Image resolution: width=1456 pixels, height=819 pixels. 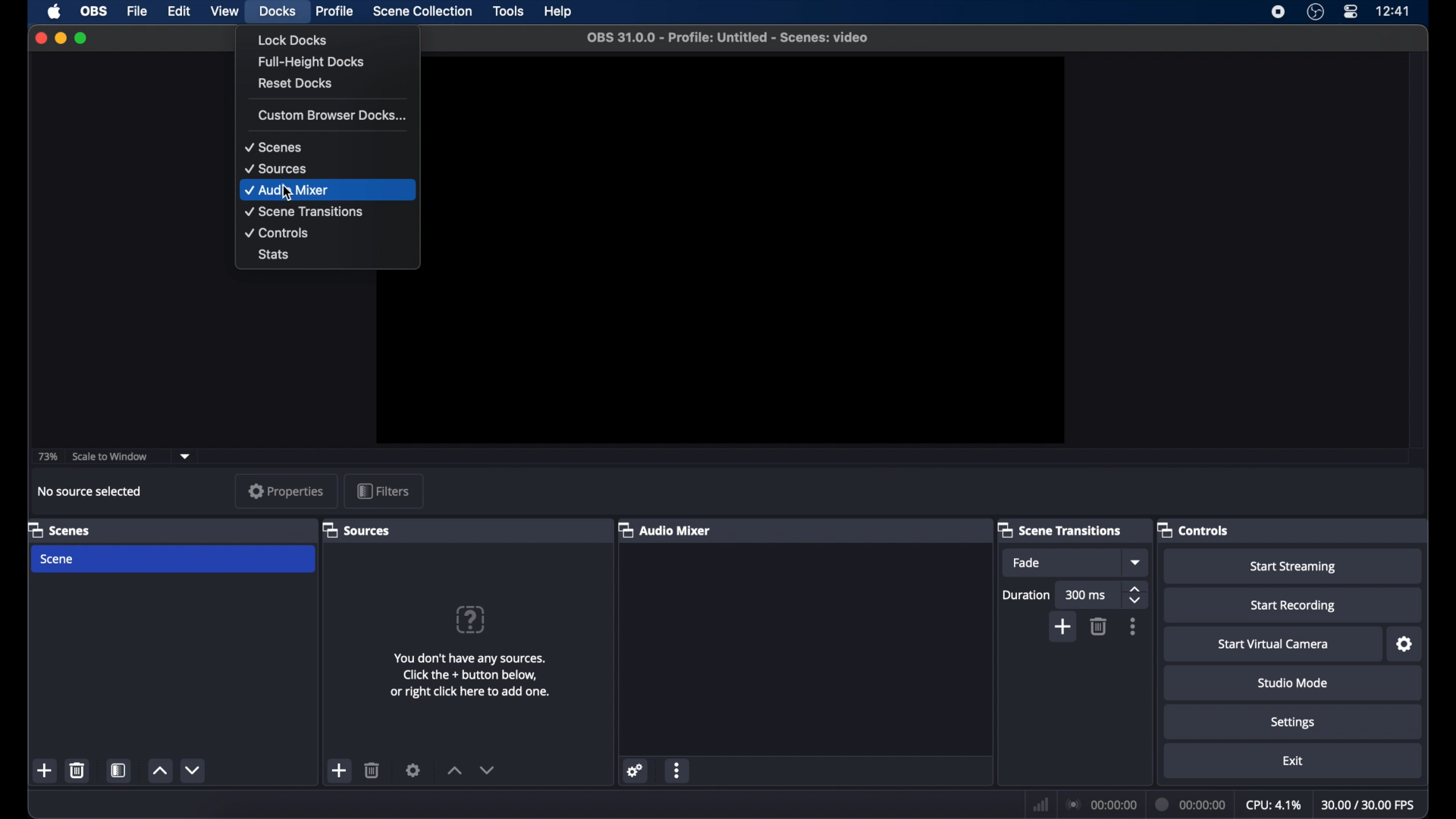 I want to click on audio mixer, so click(x=666, y=529).